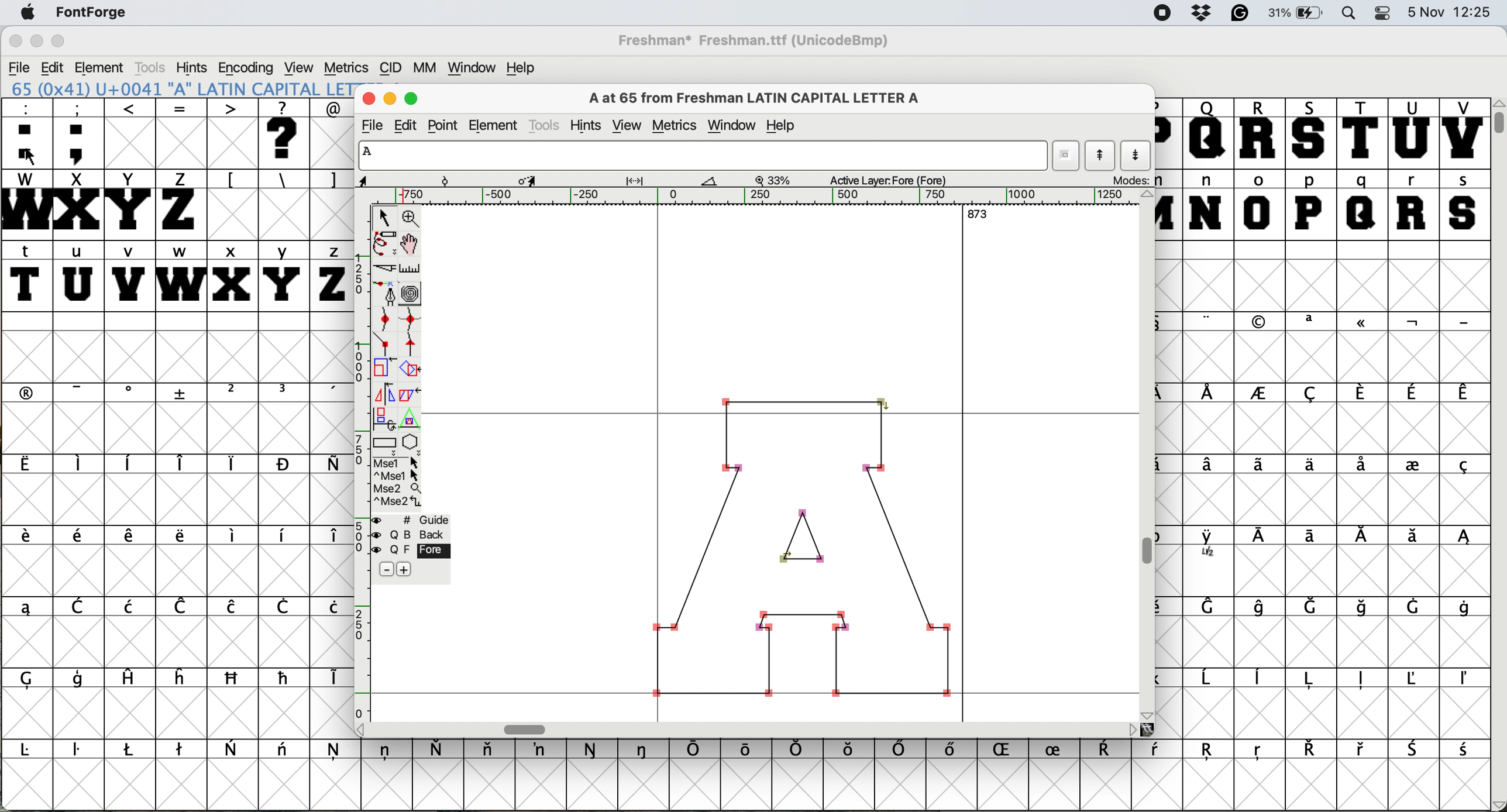 The width and height of the screenshot is (1507, 812). What do you see at coordinates (1363, 538) in the screenshot?
I see `symbol` at bounding box center [1363, 538].